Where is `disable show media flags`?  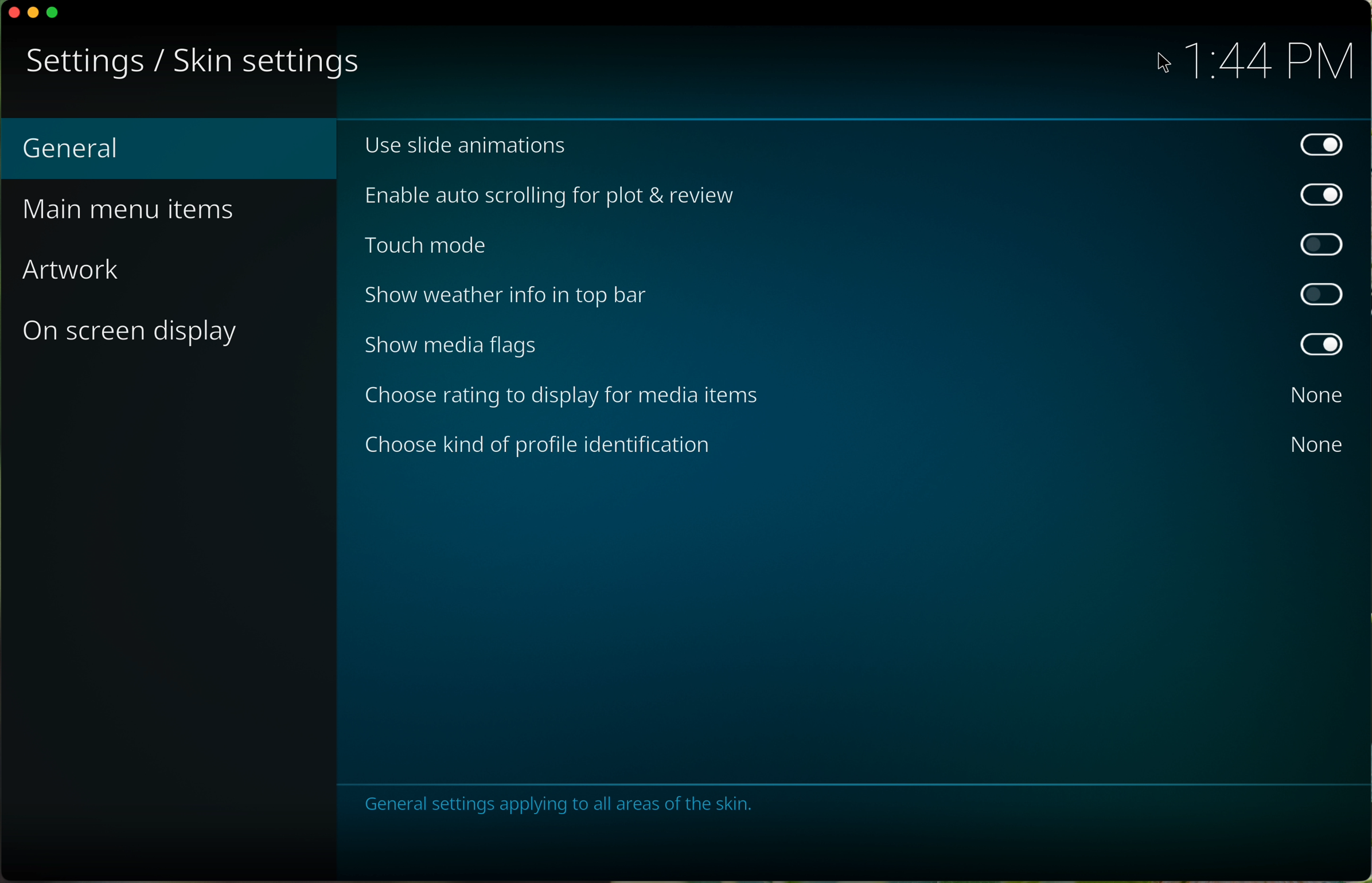 disable show media flags is located at coordinates (851, 346).